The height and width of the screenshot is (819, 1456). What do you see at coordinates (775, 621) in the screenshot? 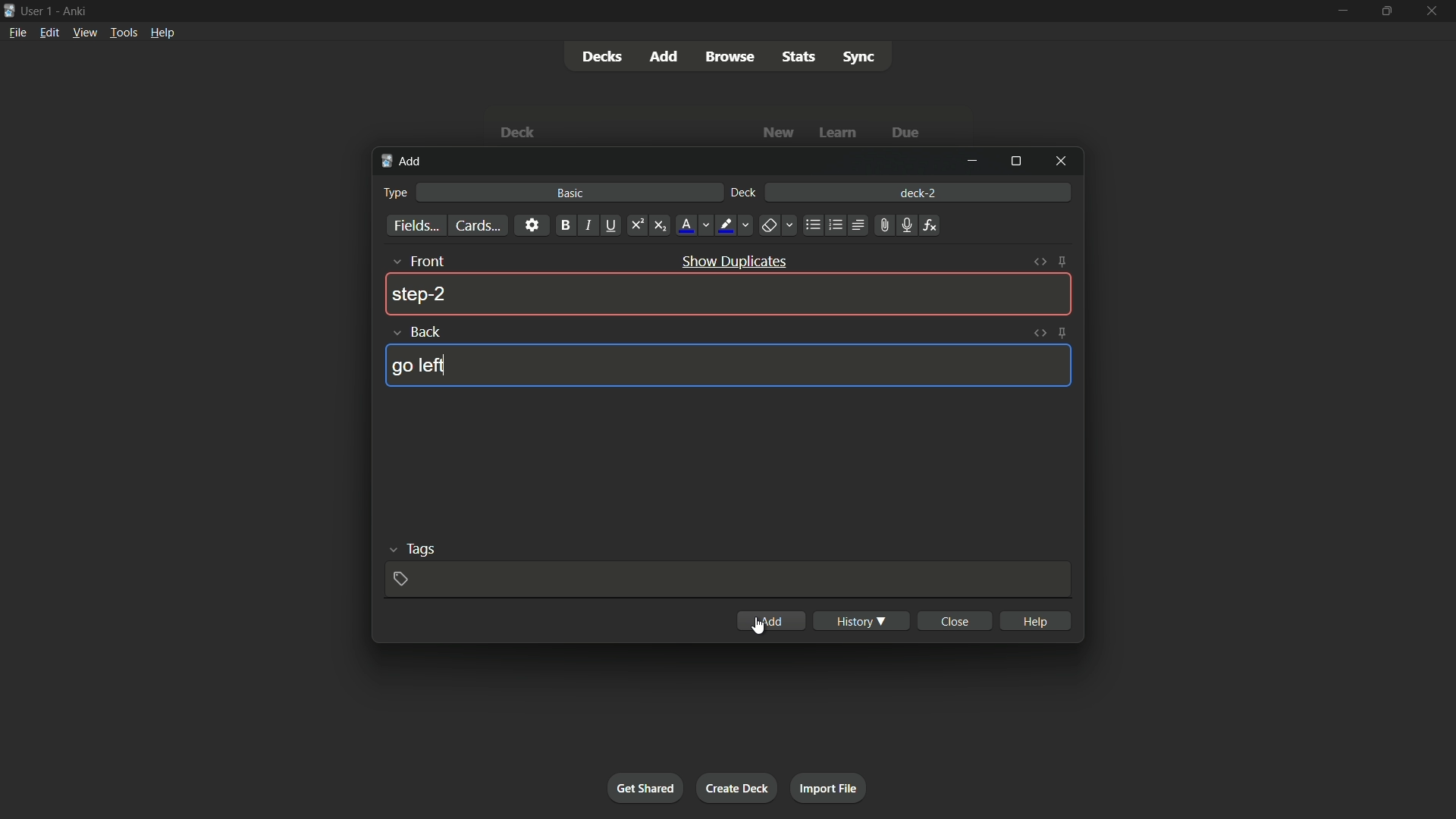
I see `add` at bounding box center [775, 621].